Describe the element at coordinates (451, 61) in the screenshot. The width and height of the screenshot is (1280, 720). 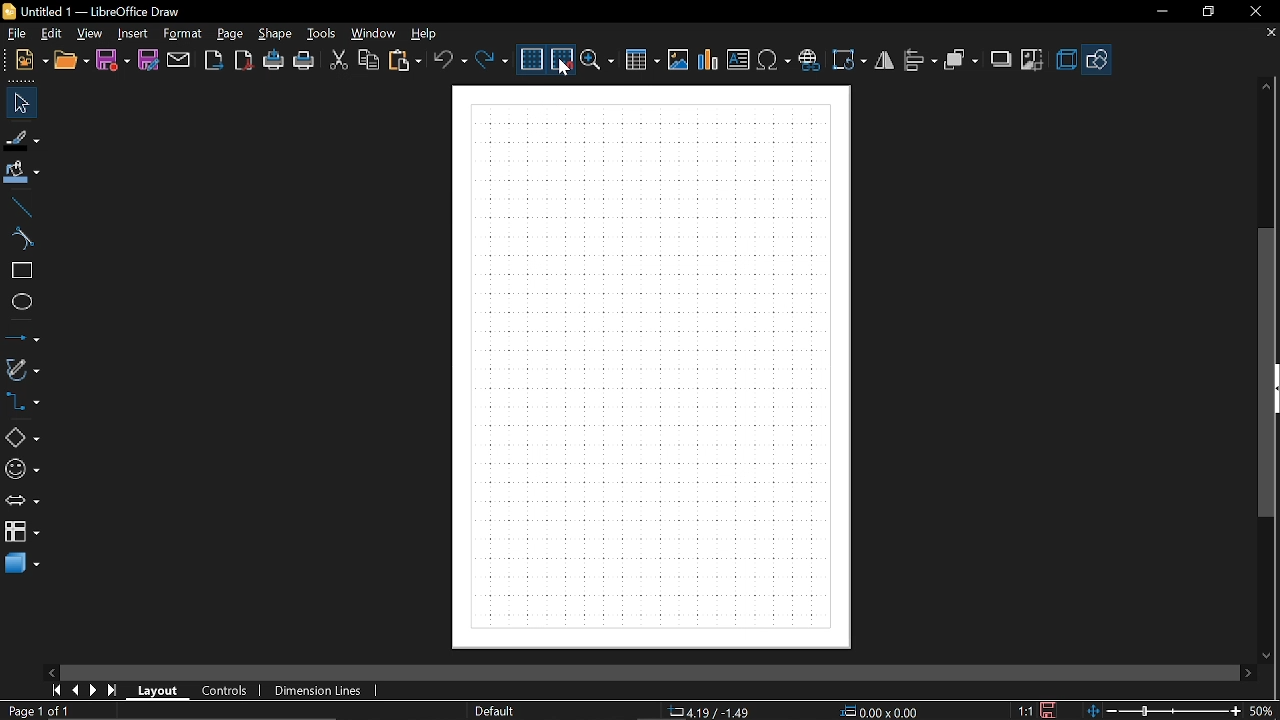
I see `undo` at that location.